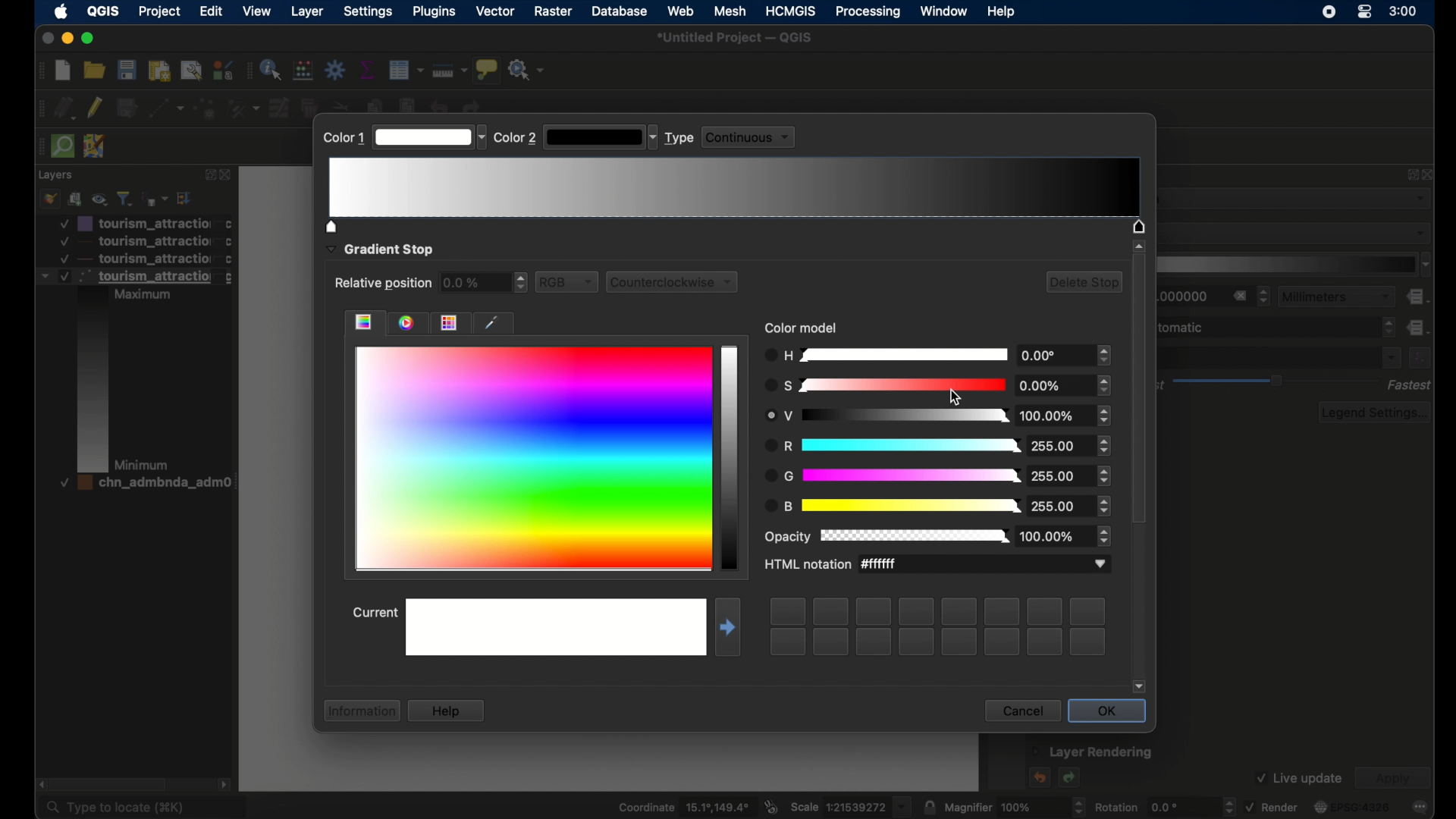 Image resolution: width=1456 pixels, height=819 pixels. I want to click on apply, so click(1398, 779).